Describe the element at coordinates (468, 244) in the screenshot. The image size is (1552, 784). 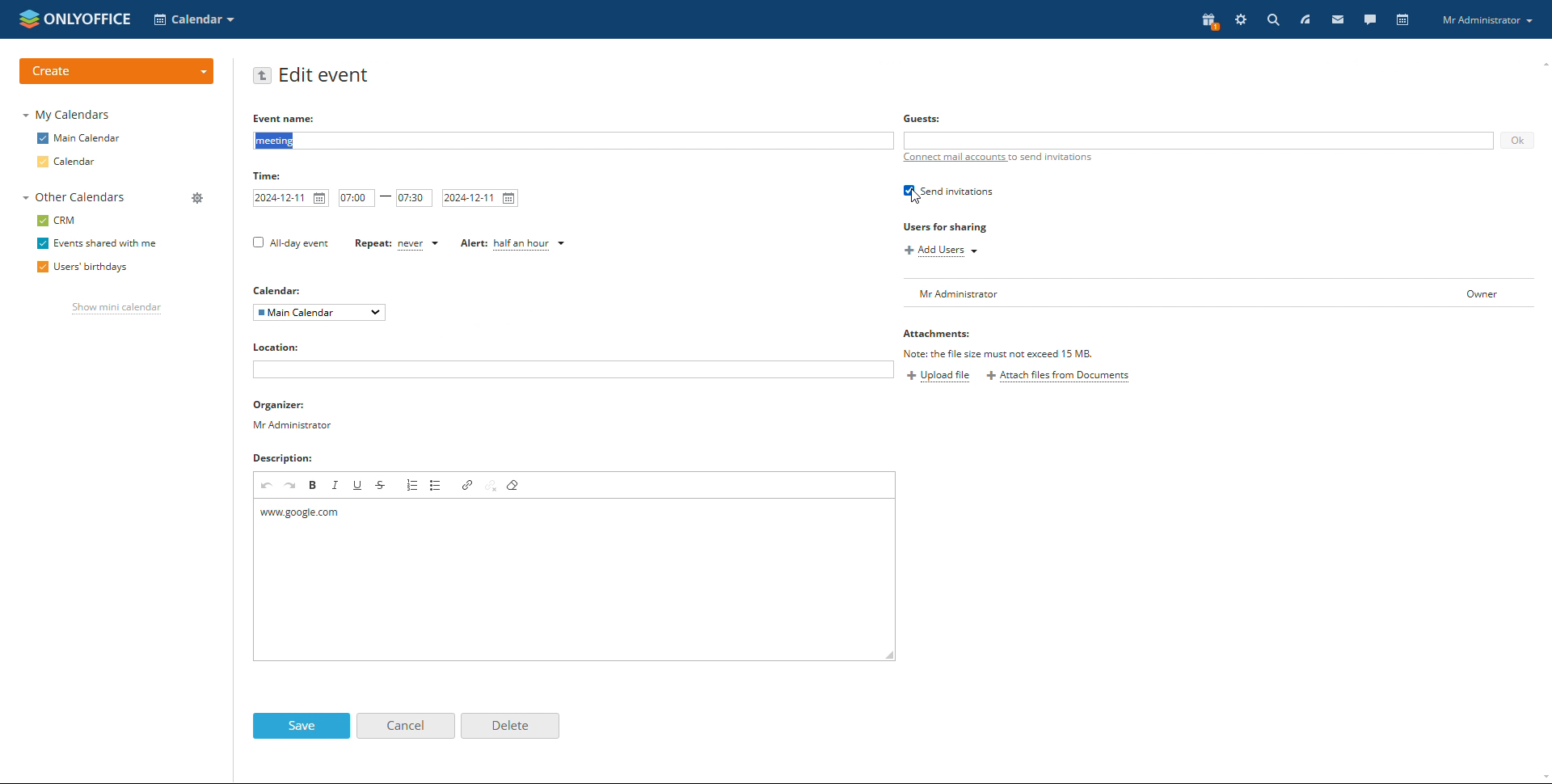
I see `Alert:` at that location.